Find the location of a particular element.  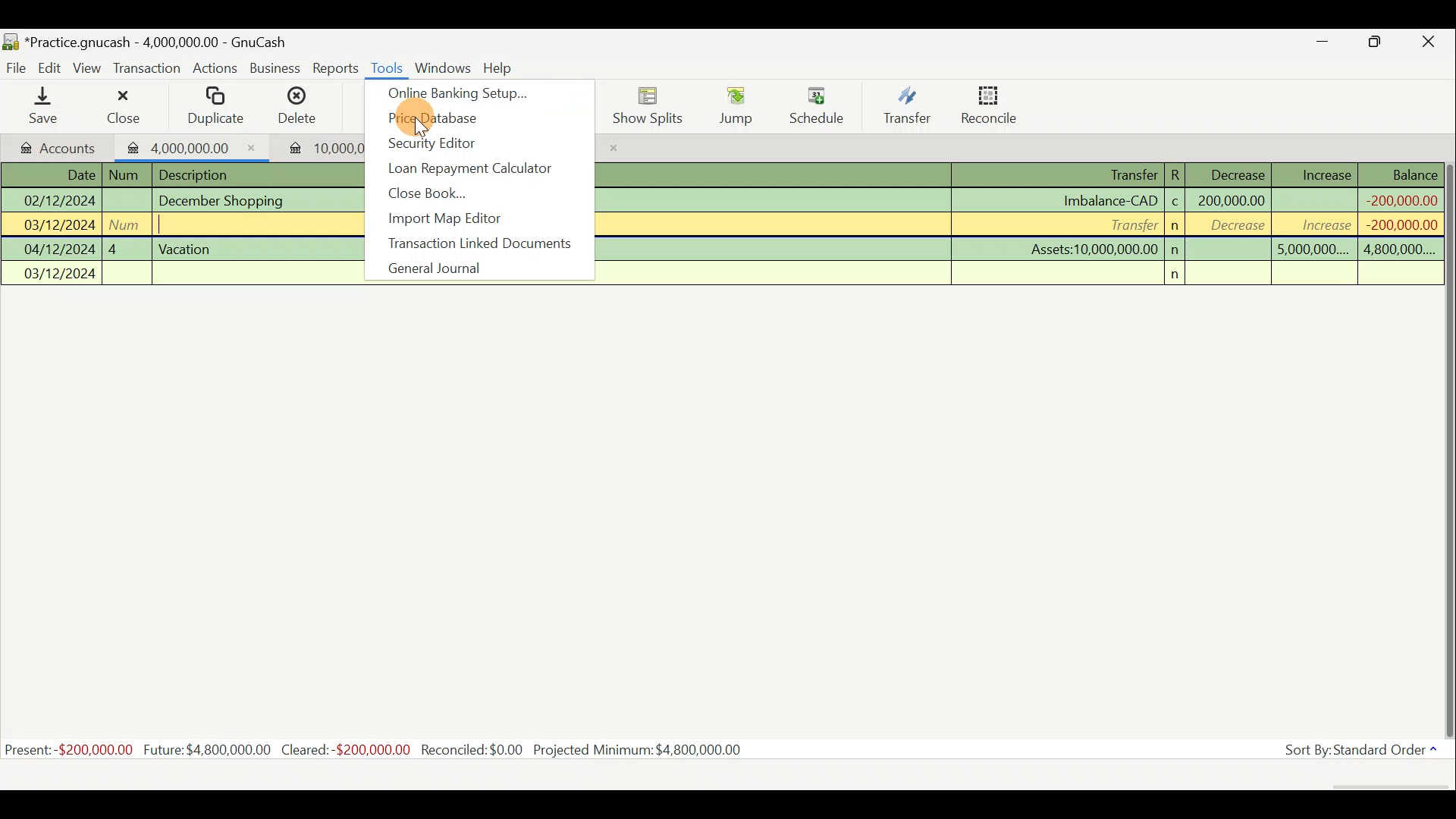

Date  is located at coordinates (71, 174).